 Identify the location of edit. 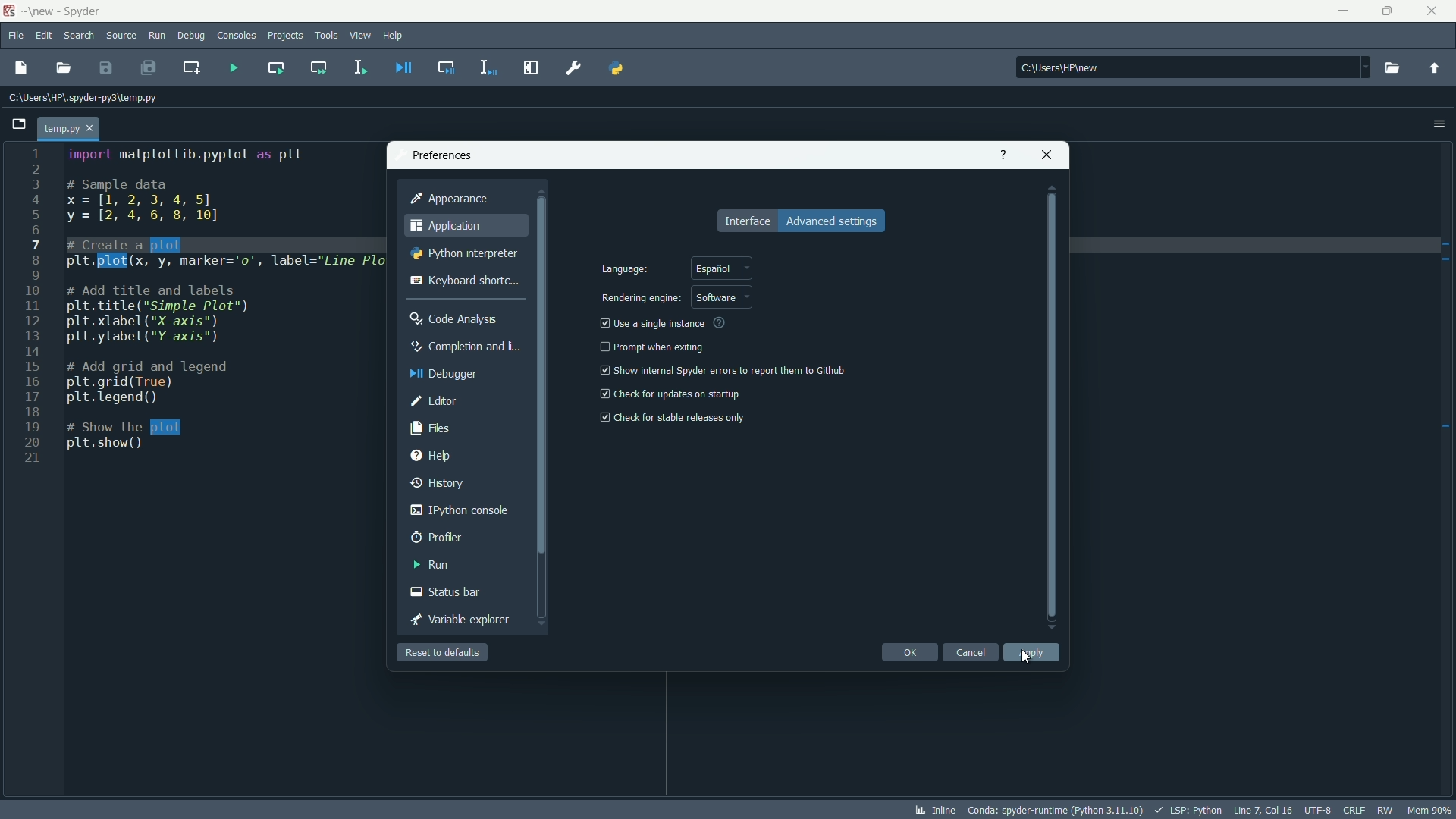
(44, 35).